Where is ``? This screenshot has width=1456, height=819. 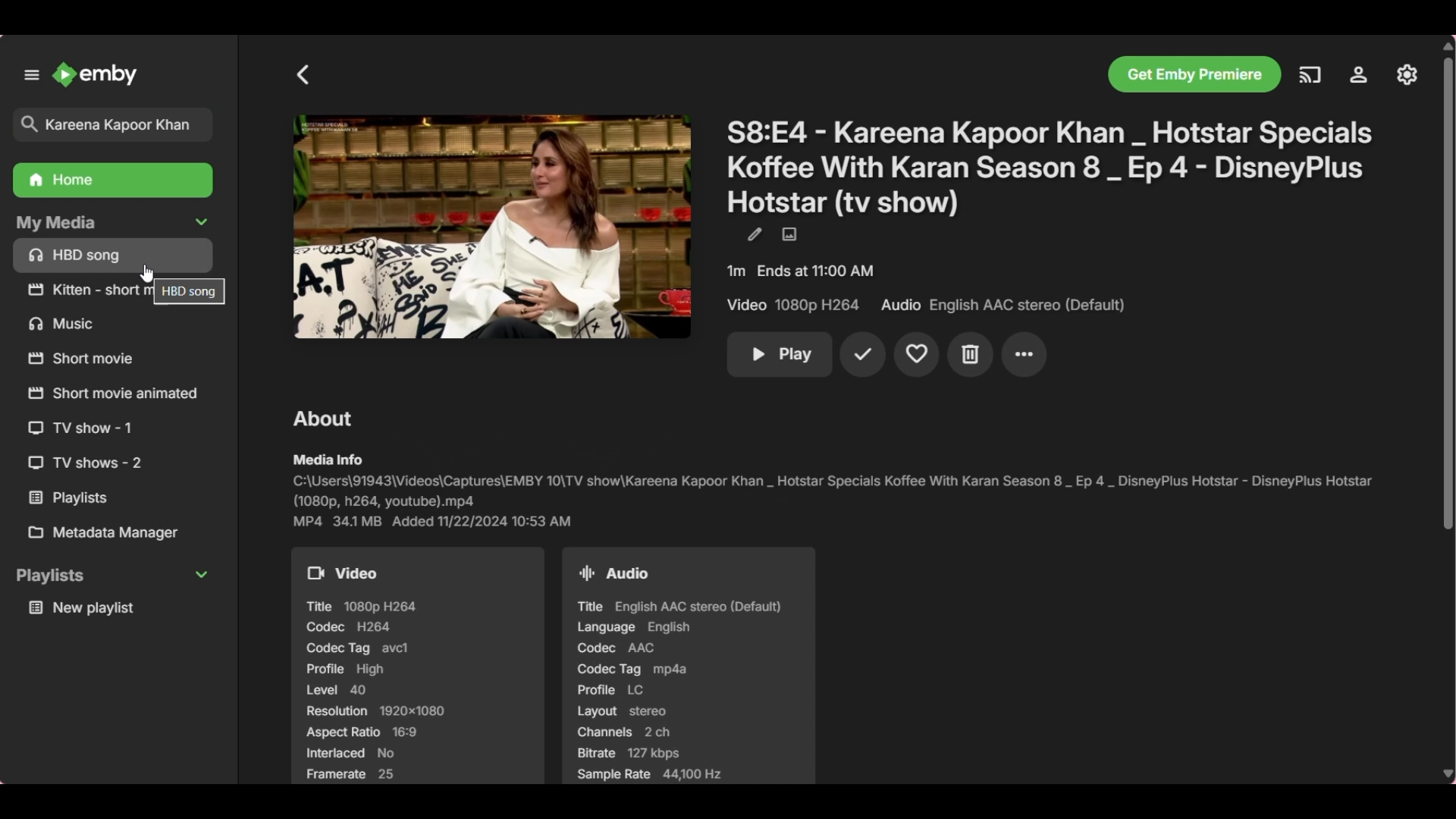
 is located at coordinates (112, 394).